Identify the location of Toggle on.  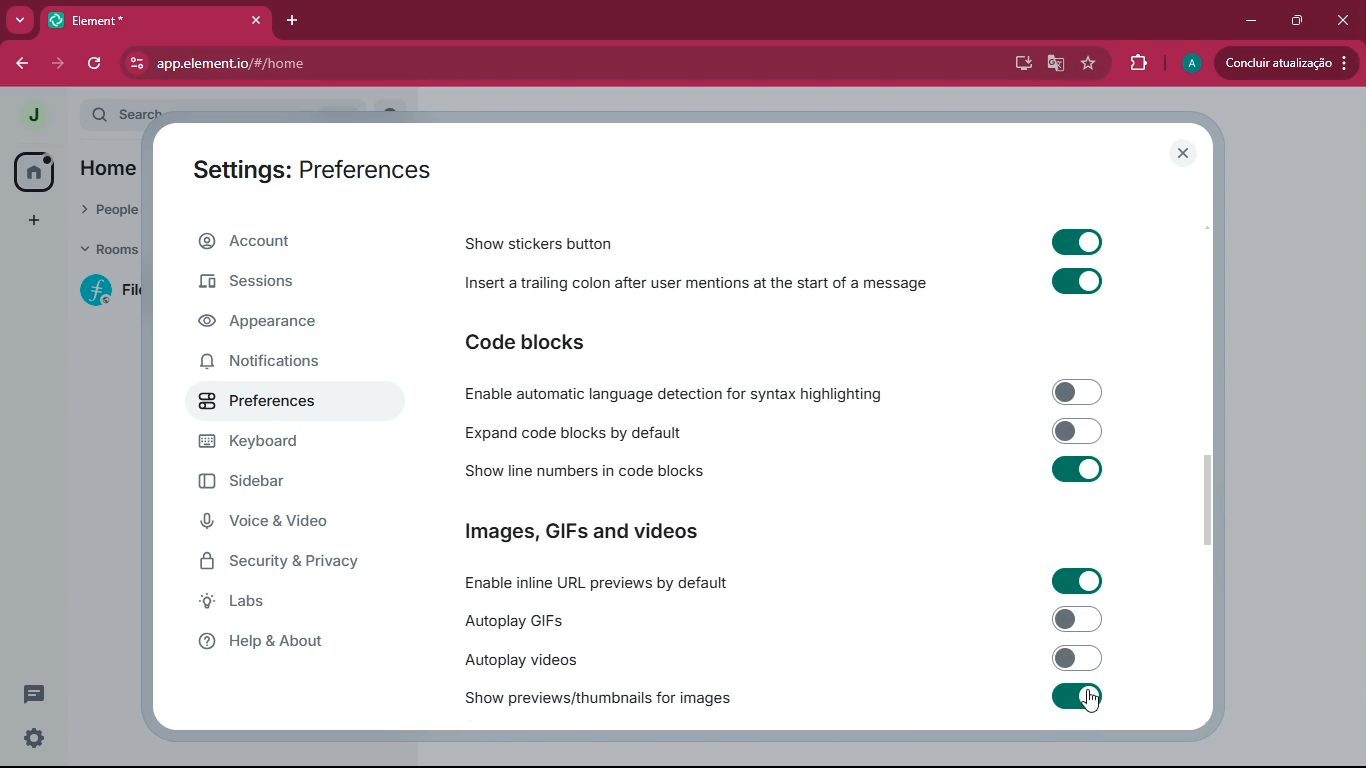
(1077, 281).